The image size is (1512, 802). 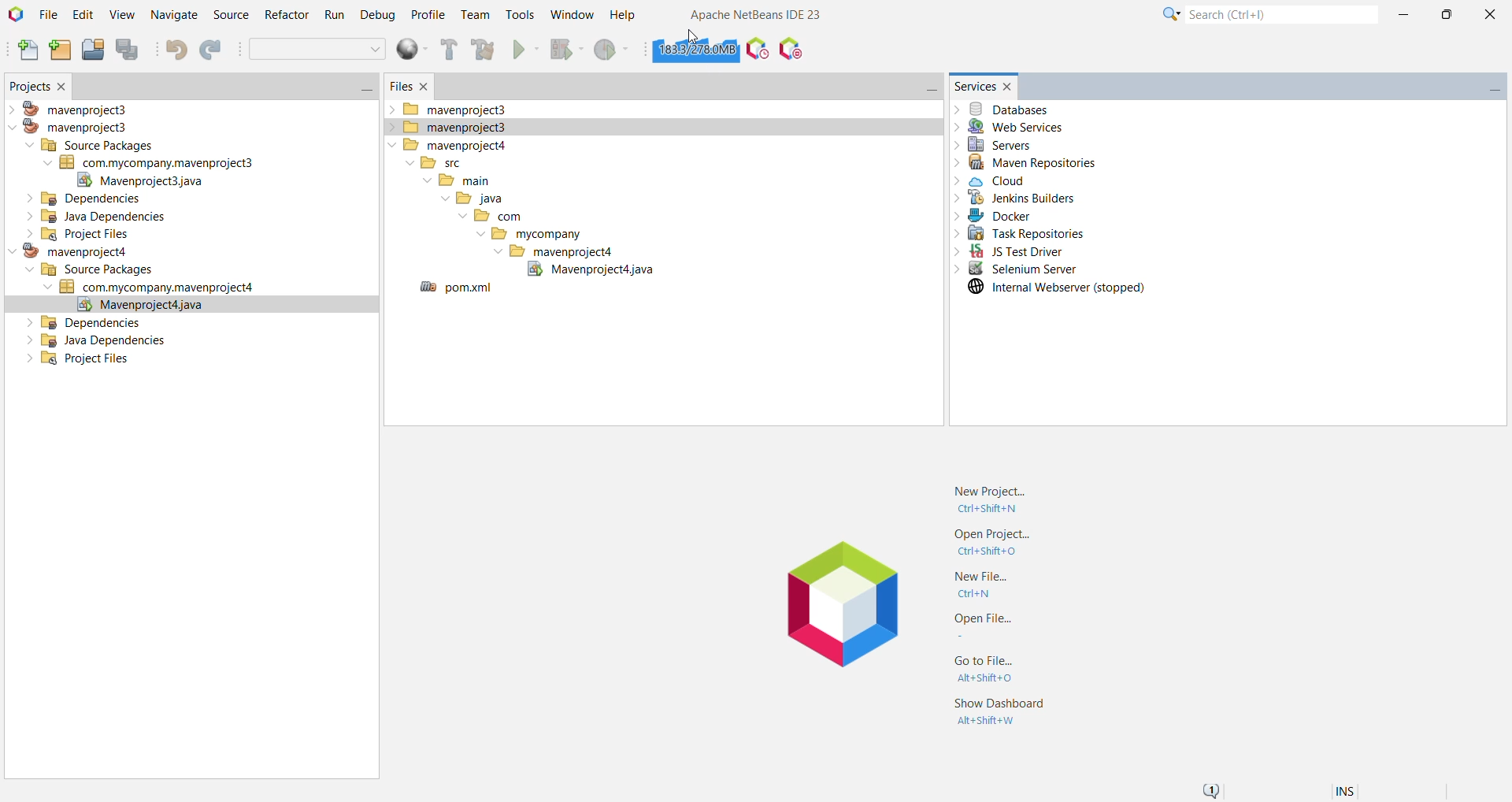 I want to click on Team, so click(x=475, y=16).